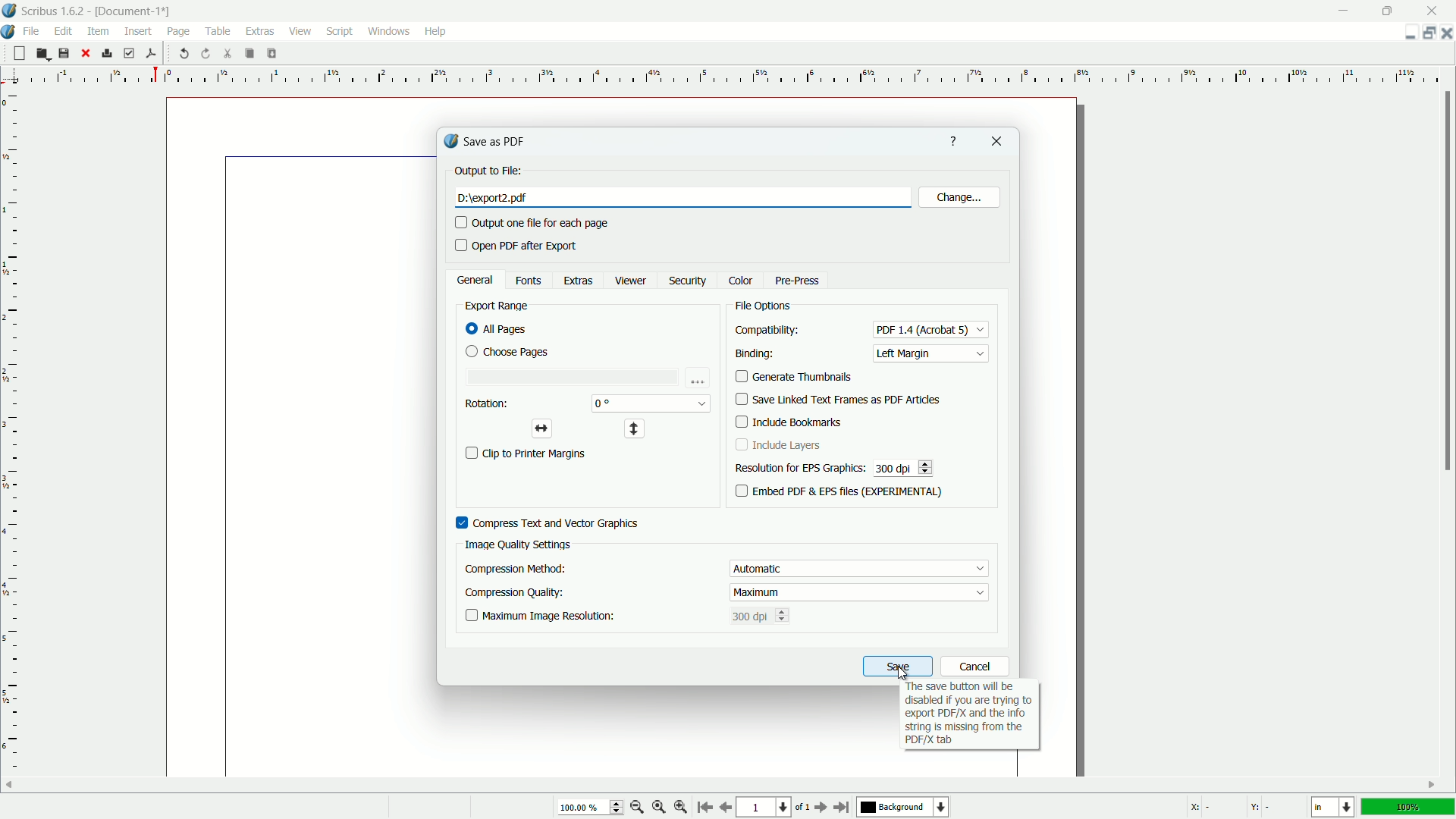 This screenshot has height=819, width=1456. What do you see at coordinates (130, 53) in the screenshot?
I see `preflight verifier` at bounding box center [130, 53].